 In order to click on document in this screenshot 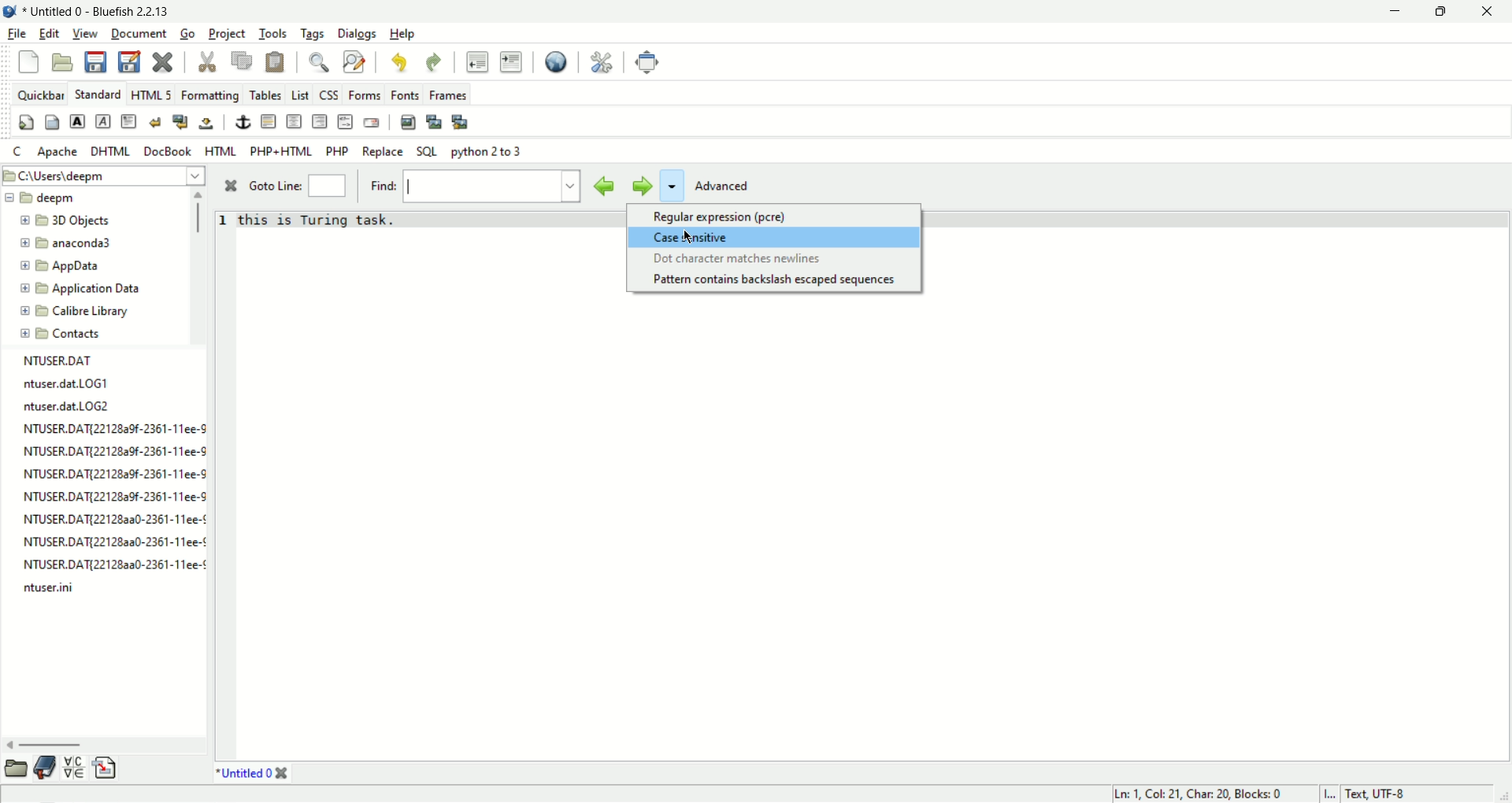, I will do `click(139, 32)`.